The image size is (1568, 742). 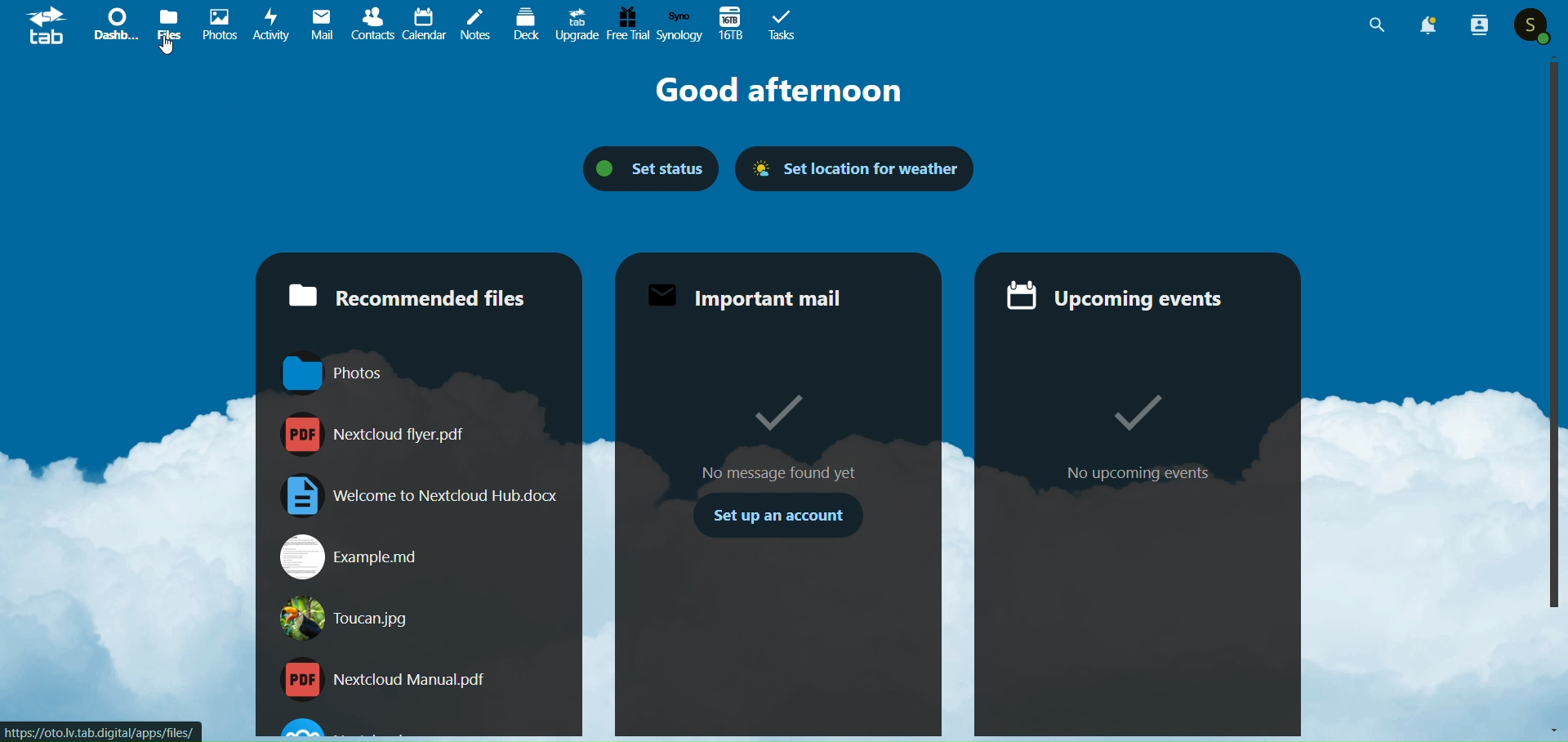 I want to click on Photos, so click(x=420, y=375).